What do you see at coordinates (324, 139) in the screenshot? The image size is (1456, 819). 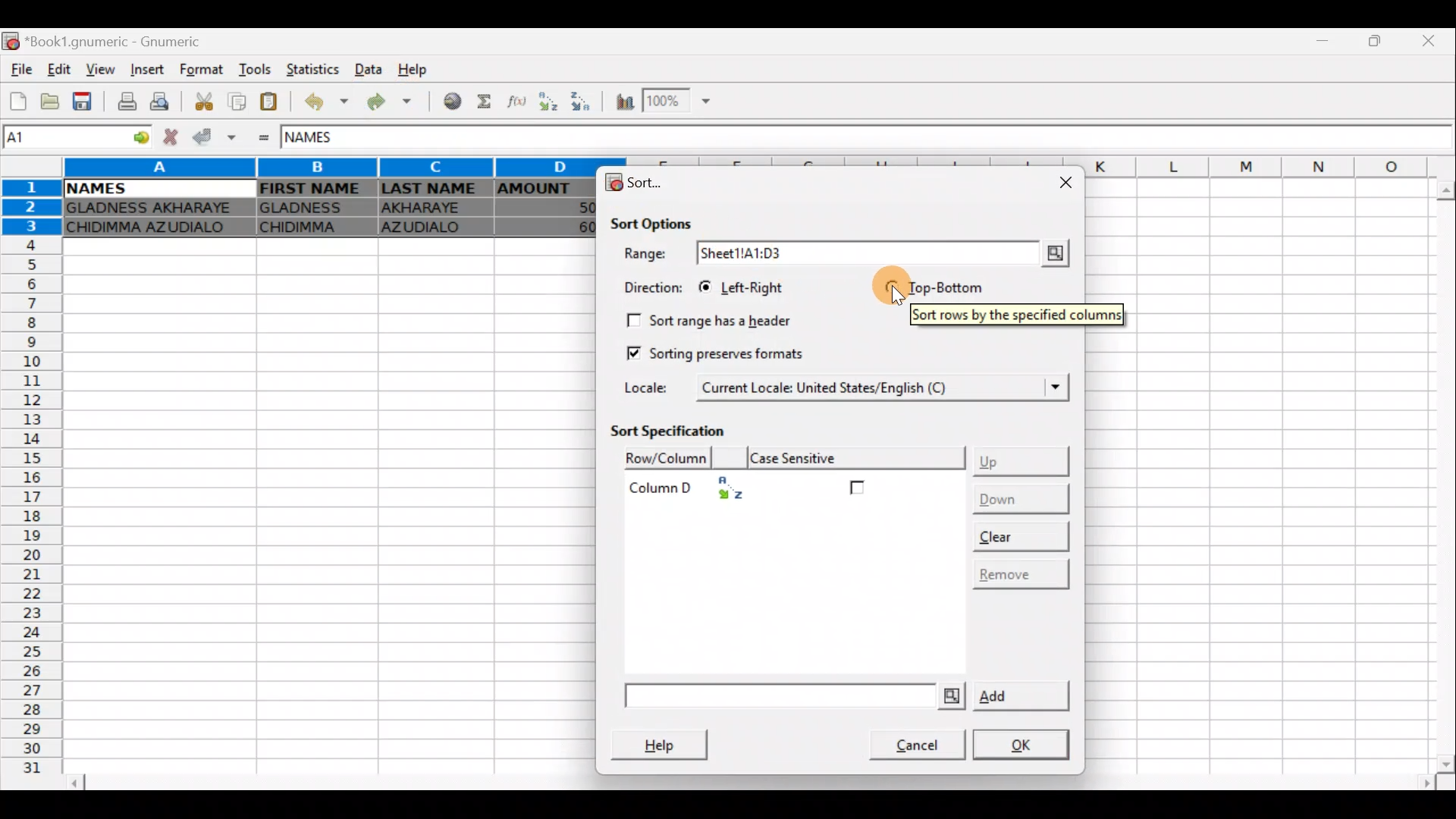 I see `NAMES` at bounding box center [324, 139].